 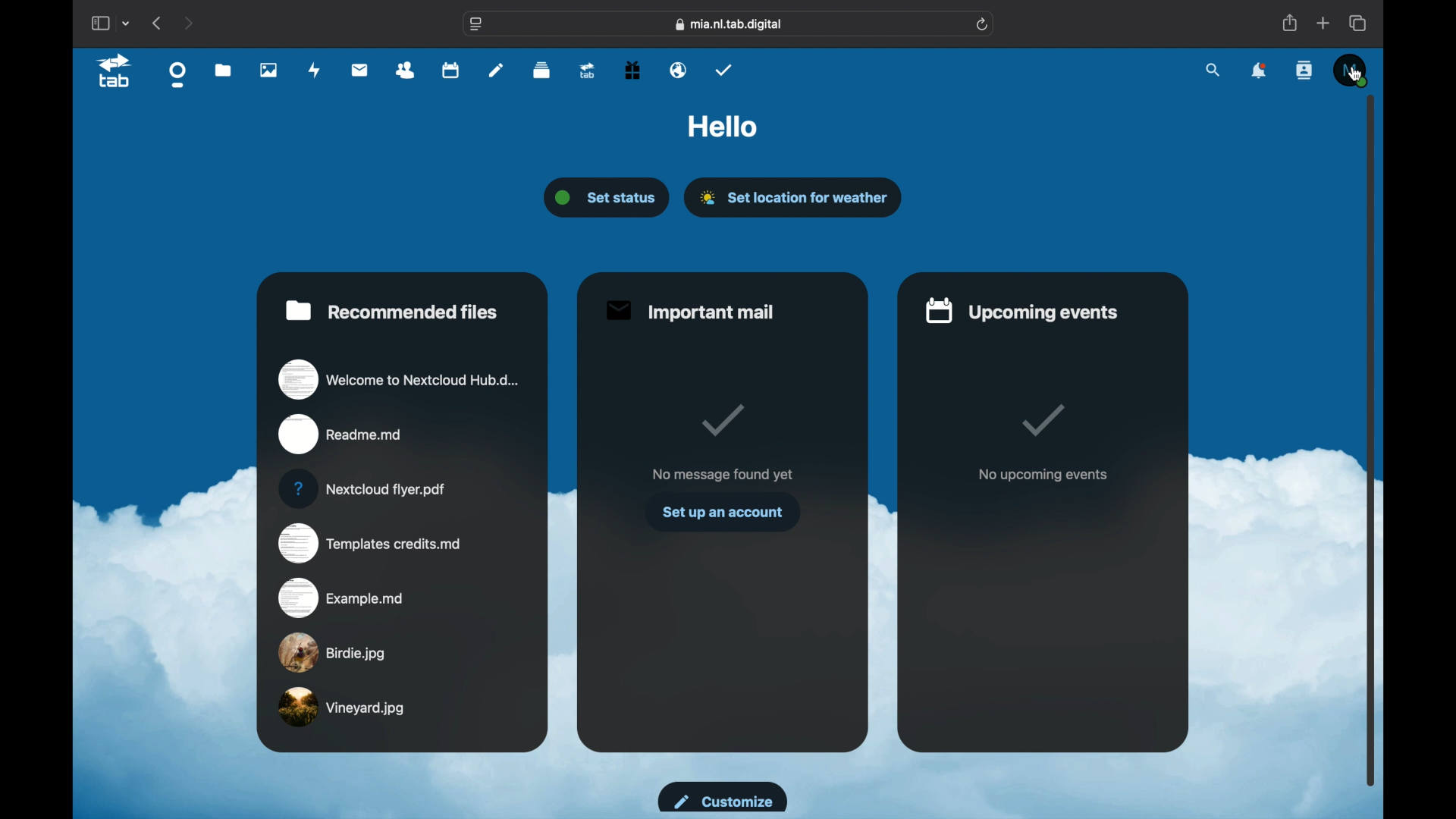 What do you see at coordinates (1023, 309) in the screenshot?
I see `upcoming events` at bounding box center [1023, 309].